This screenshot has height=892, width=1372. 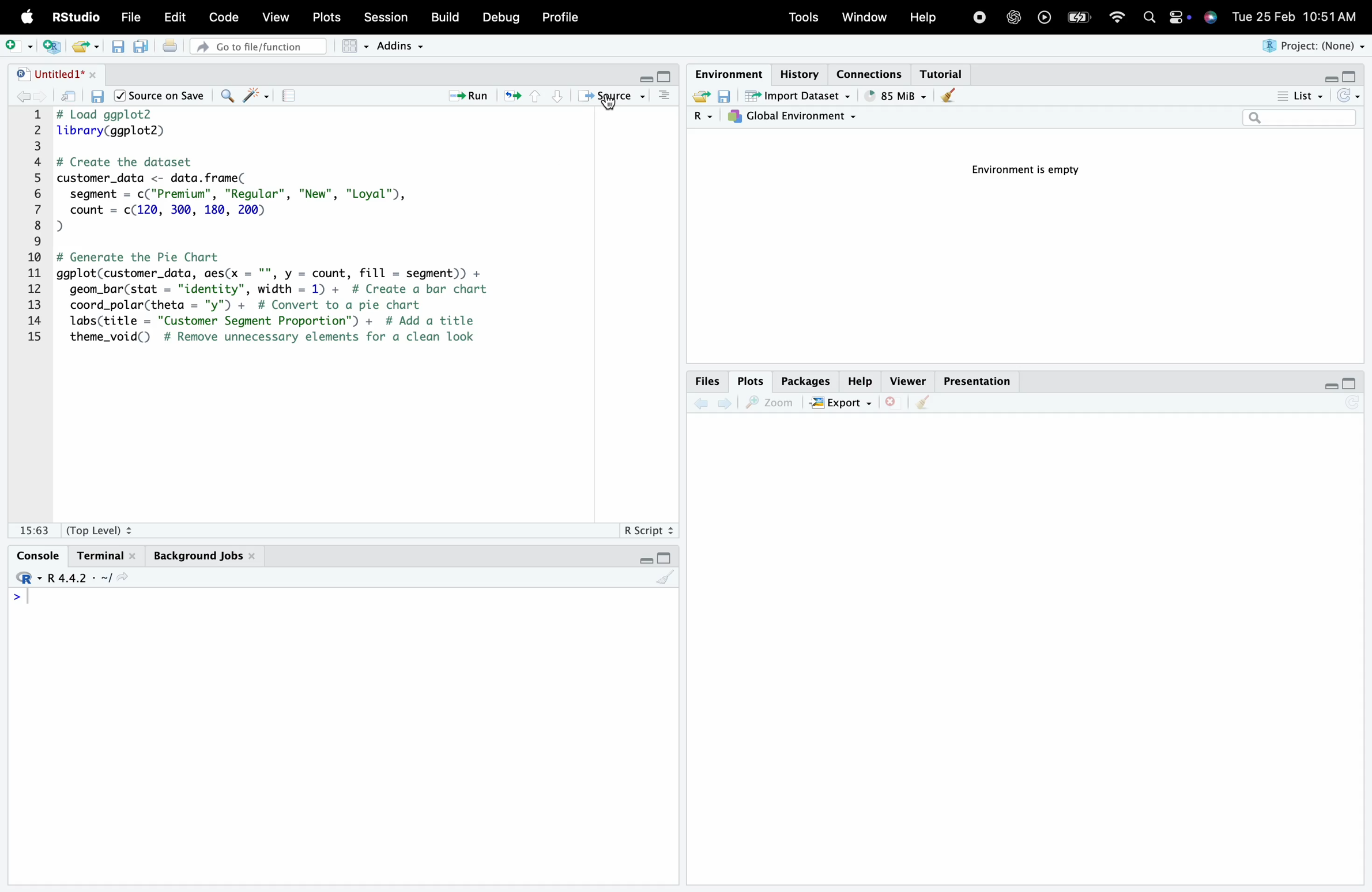 I want to click on Profile, so click(x=566, y=16).